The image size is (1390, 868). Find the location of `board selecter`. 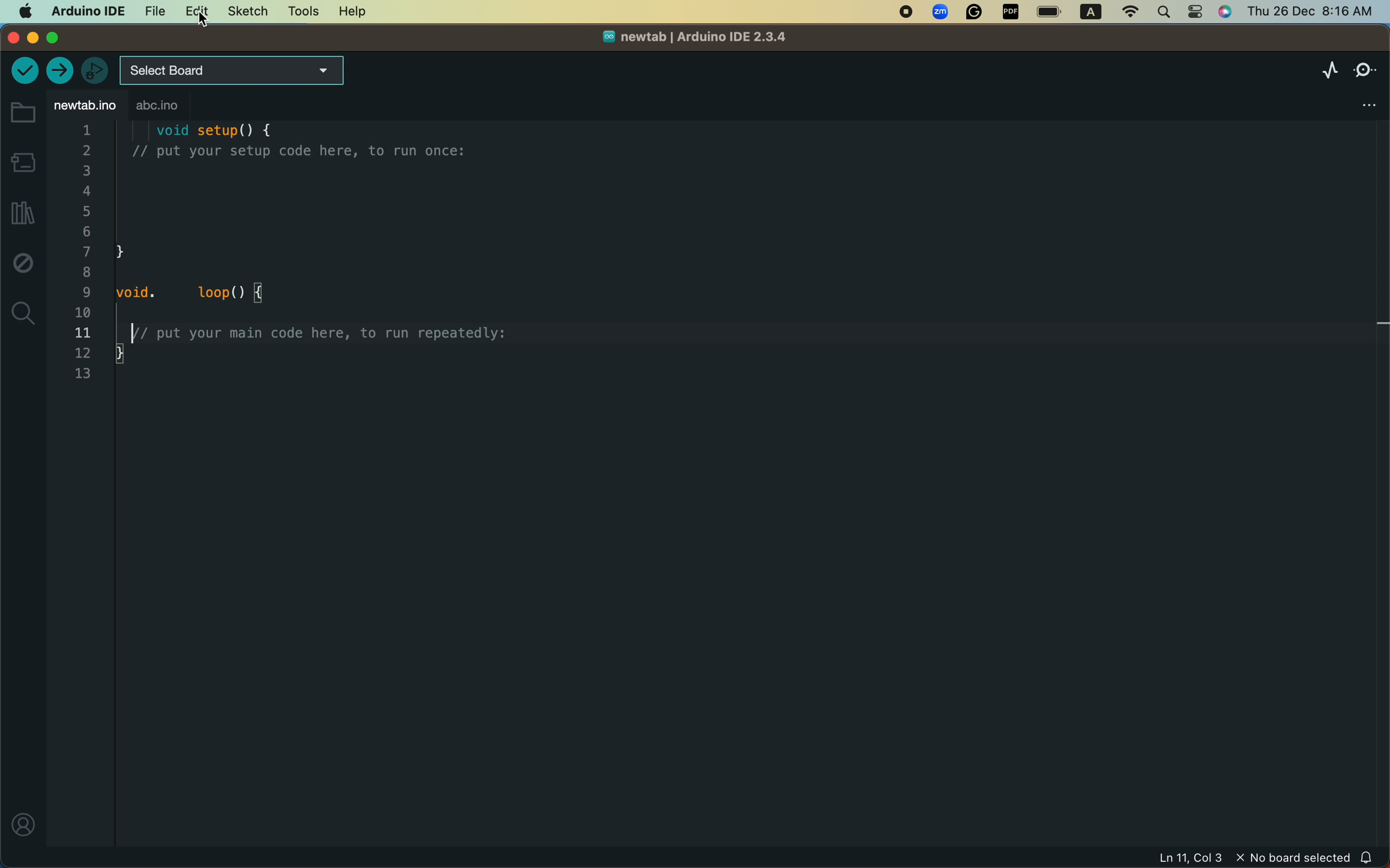

board selecter is located at coordinates (234, 71).